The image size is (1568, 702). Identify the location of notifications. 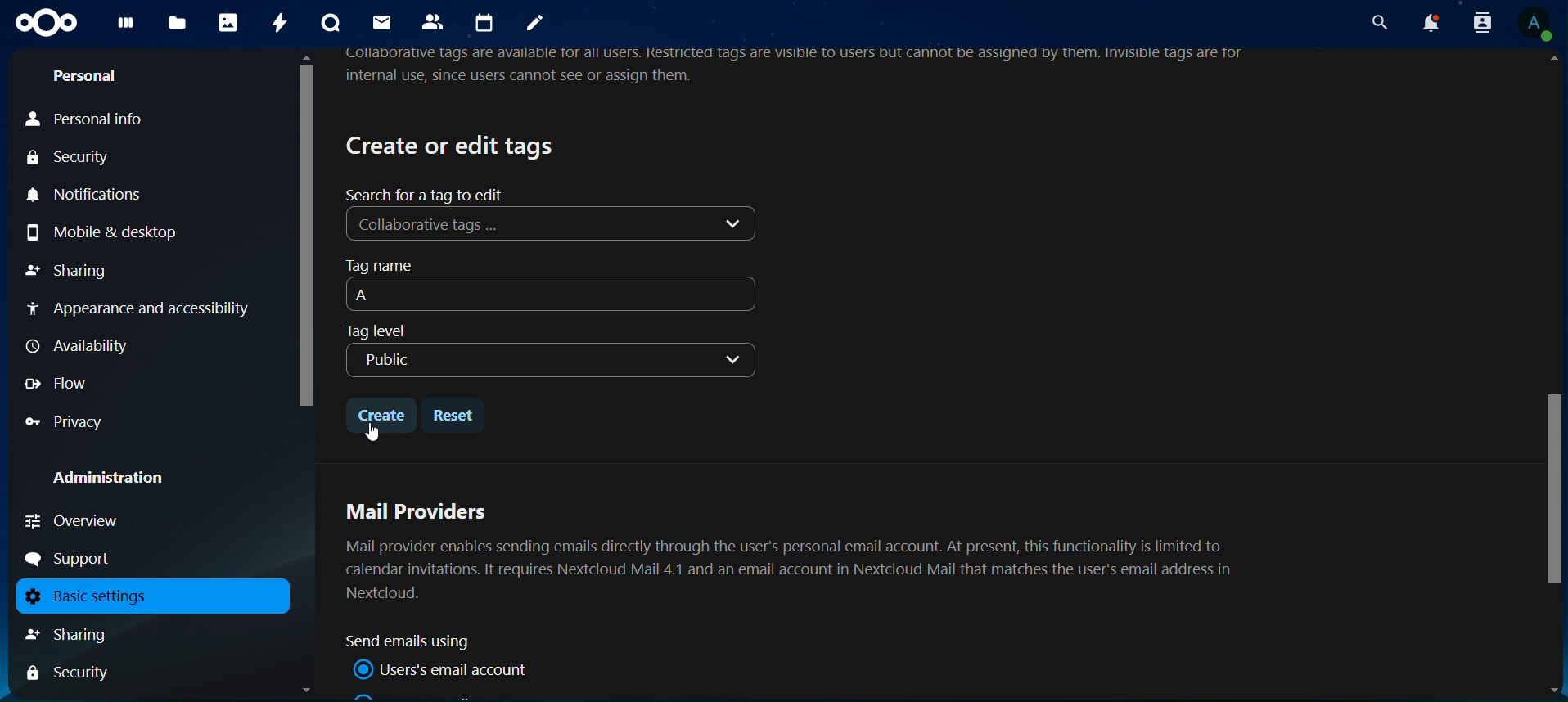
(1428, 23).